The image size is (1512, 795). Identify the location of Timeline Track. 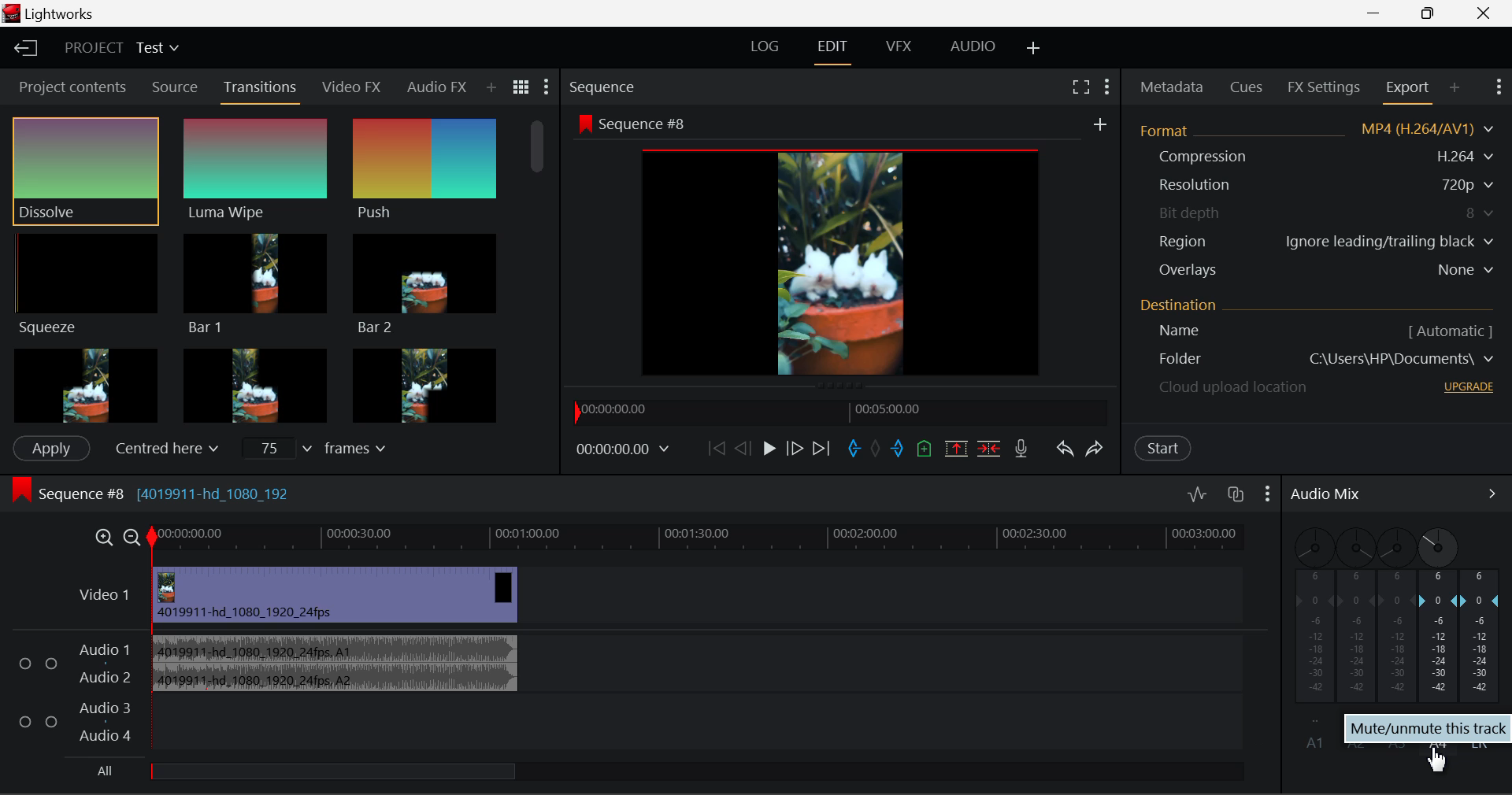
(712, 539).